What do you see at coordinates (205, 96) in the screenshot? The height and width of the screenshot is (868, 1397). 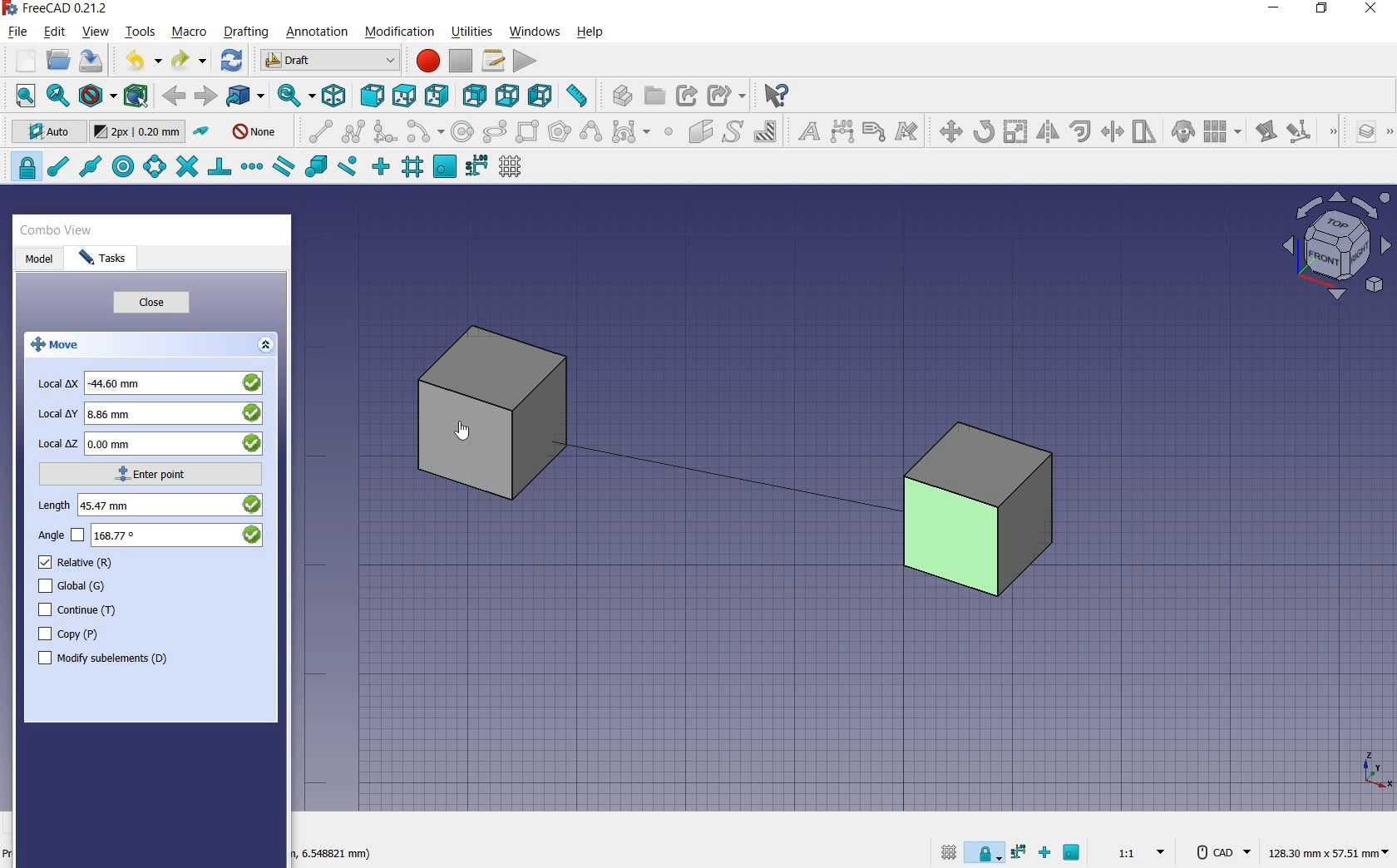 I see `forward` at bounding box center [205, 96].